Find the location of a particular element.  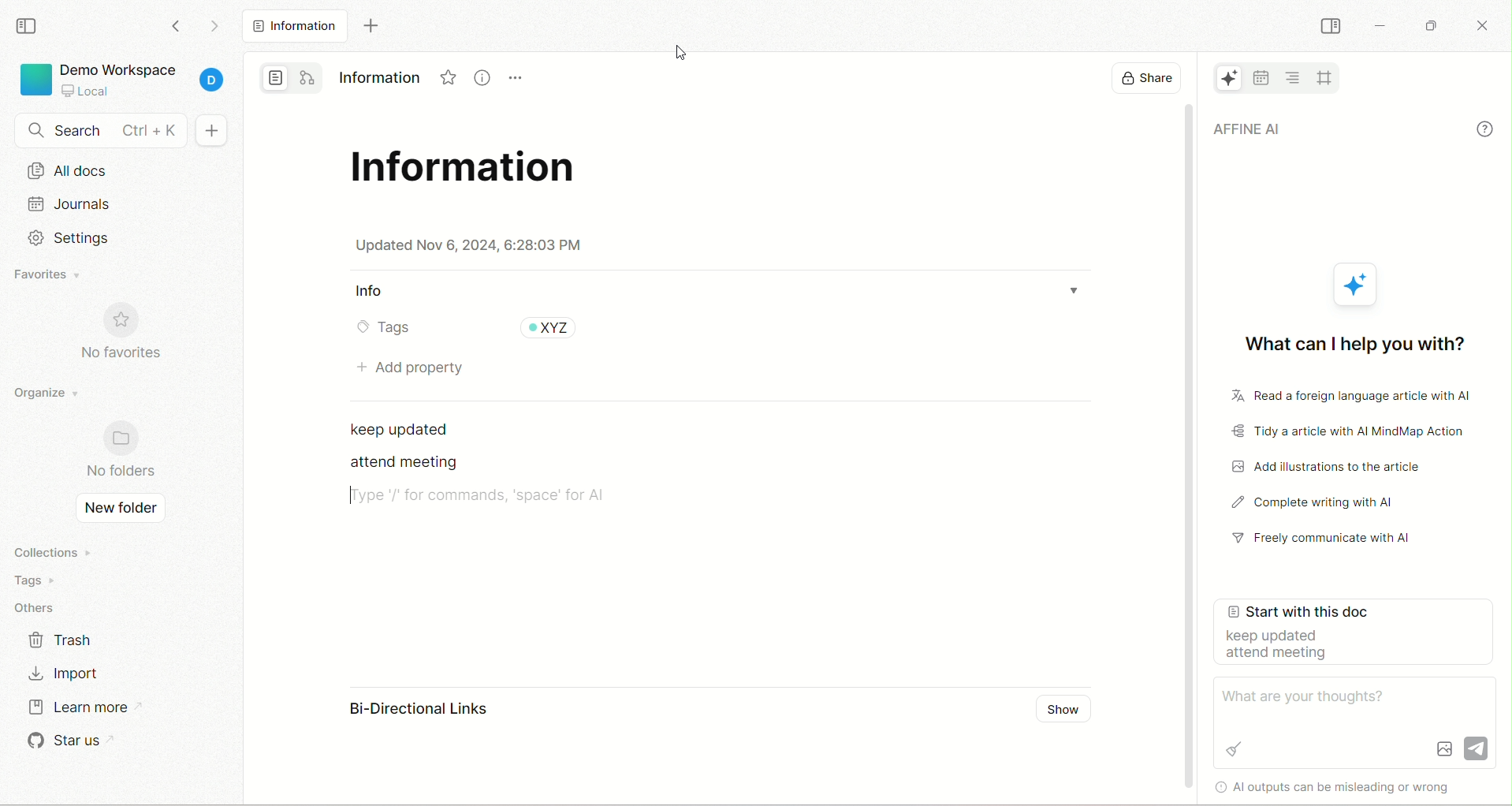

maximize is located at coordinates (1434, 22).